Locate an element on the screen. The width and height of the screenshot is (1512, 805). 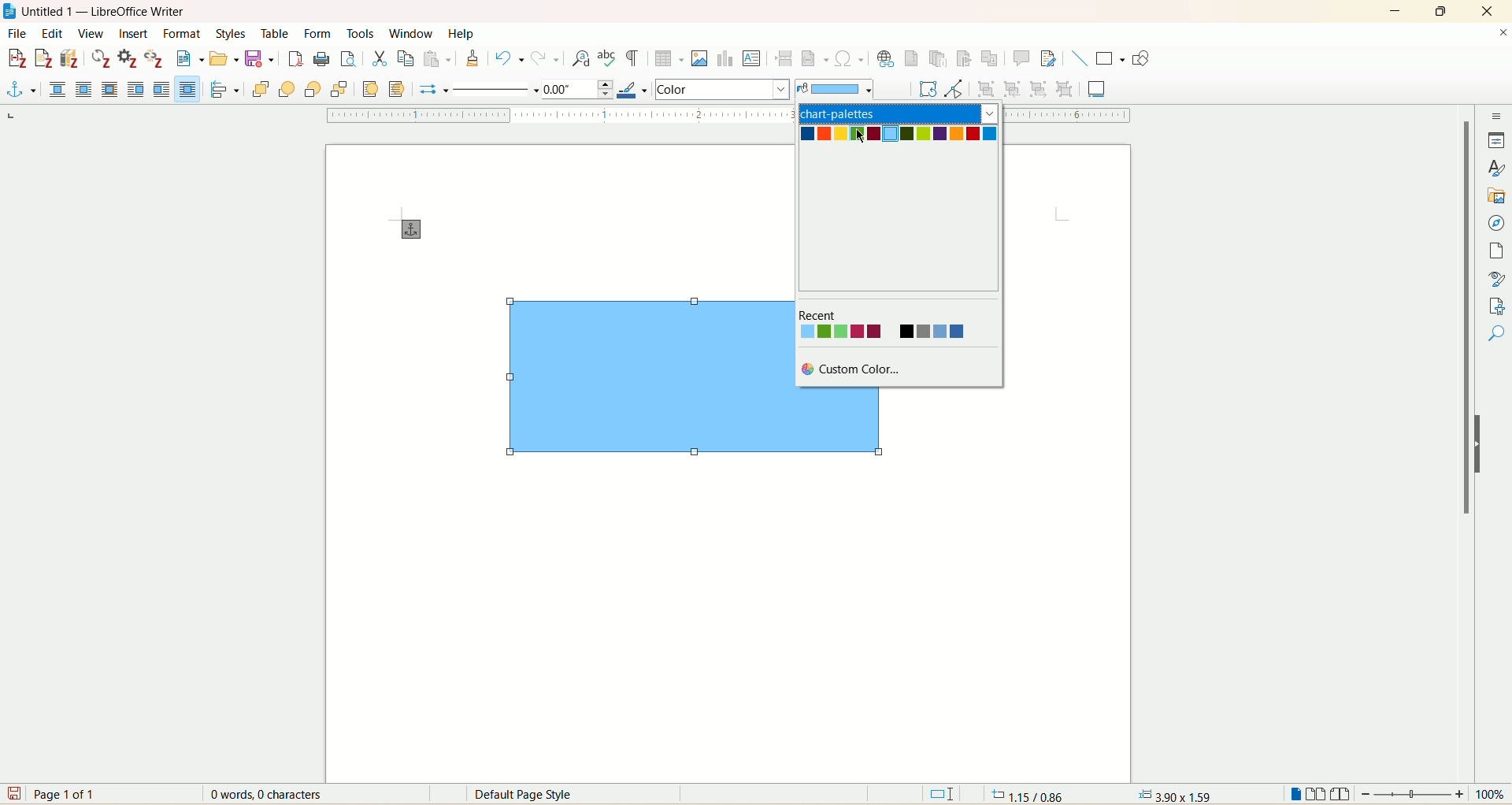
navigator is located at coordinates (1498, 225).